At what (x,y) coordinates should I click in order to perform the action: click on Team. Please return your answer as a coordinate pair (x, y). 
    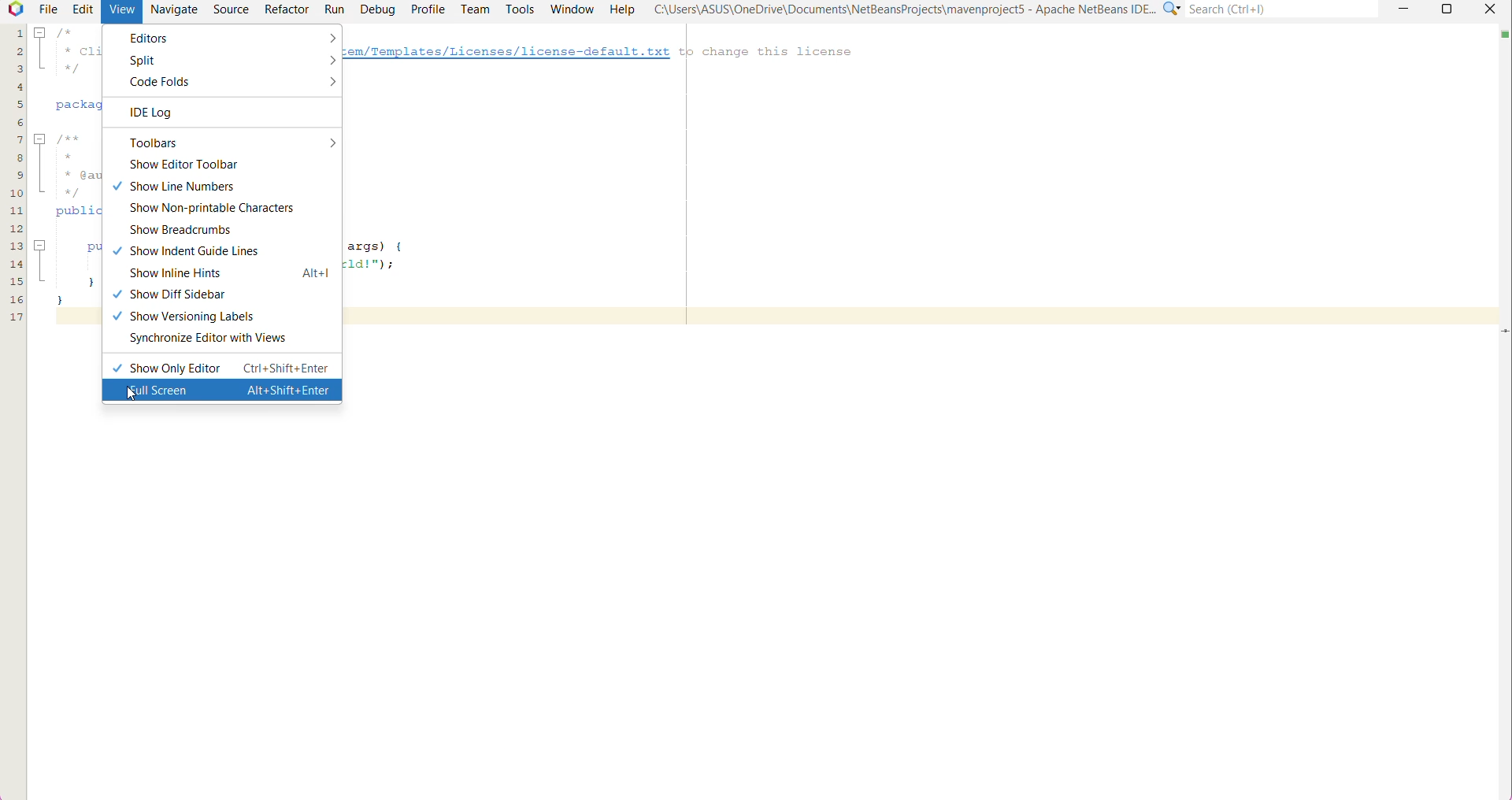
    Looking at the image, I should click on (476, 9).